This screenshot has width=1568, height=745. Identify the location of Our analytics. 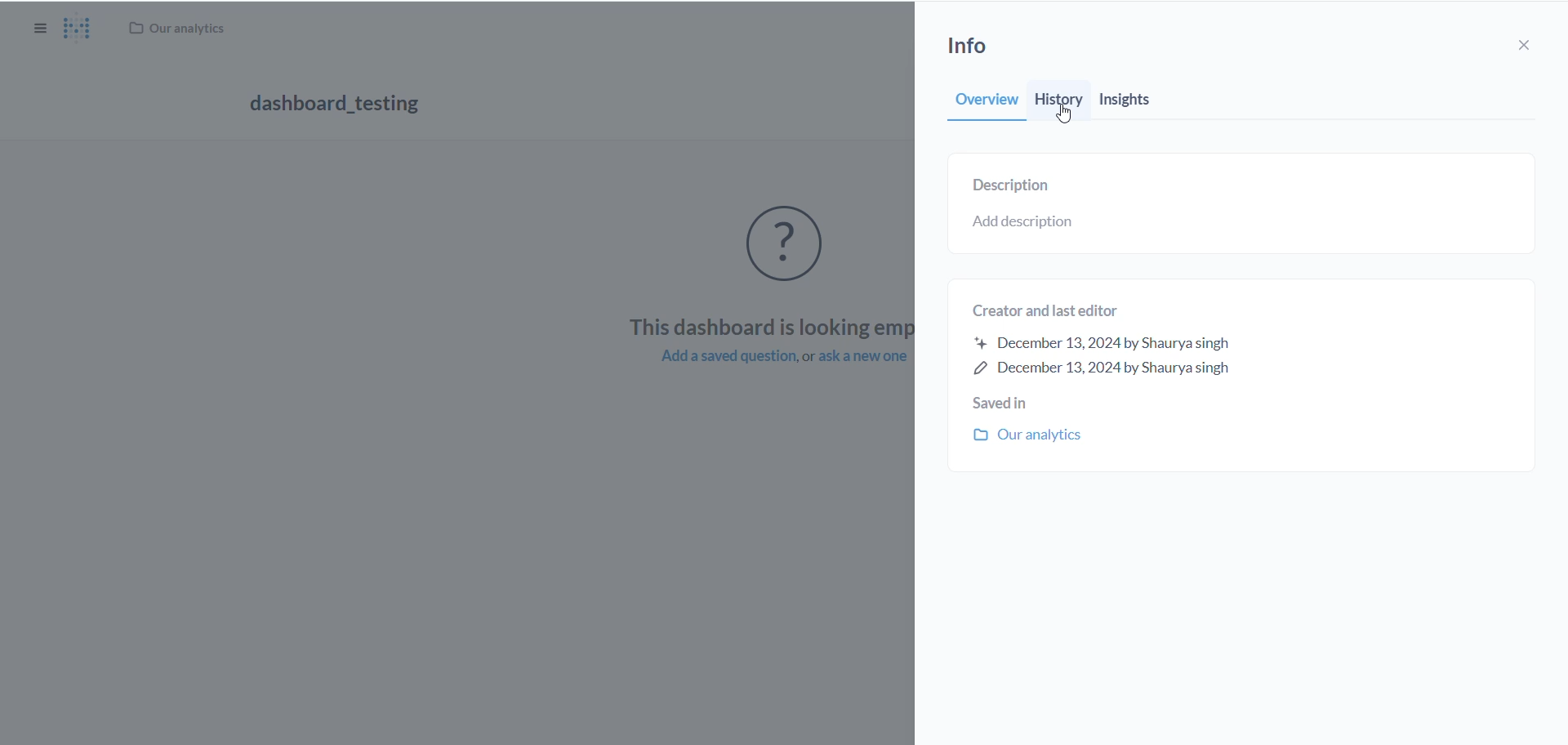
(180, 27).